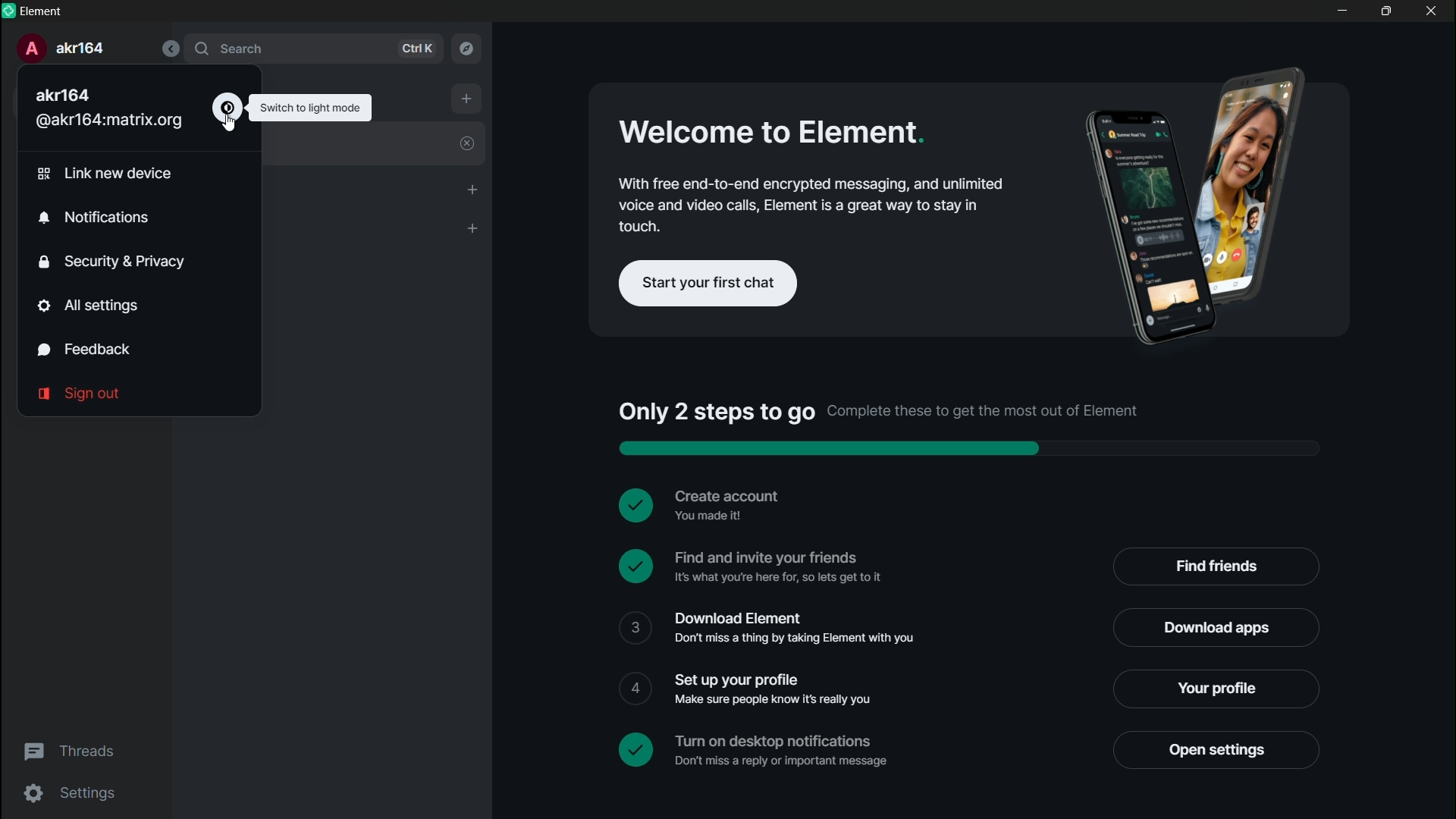  Describe the element at coordinates (417, 50) in the screenshot. I see `ctrl k` at that location.